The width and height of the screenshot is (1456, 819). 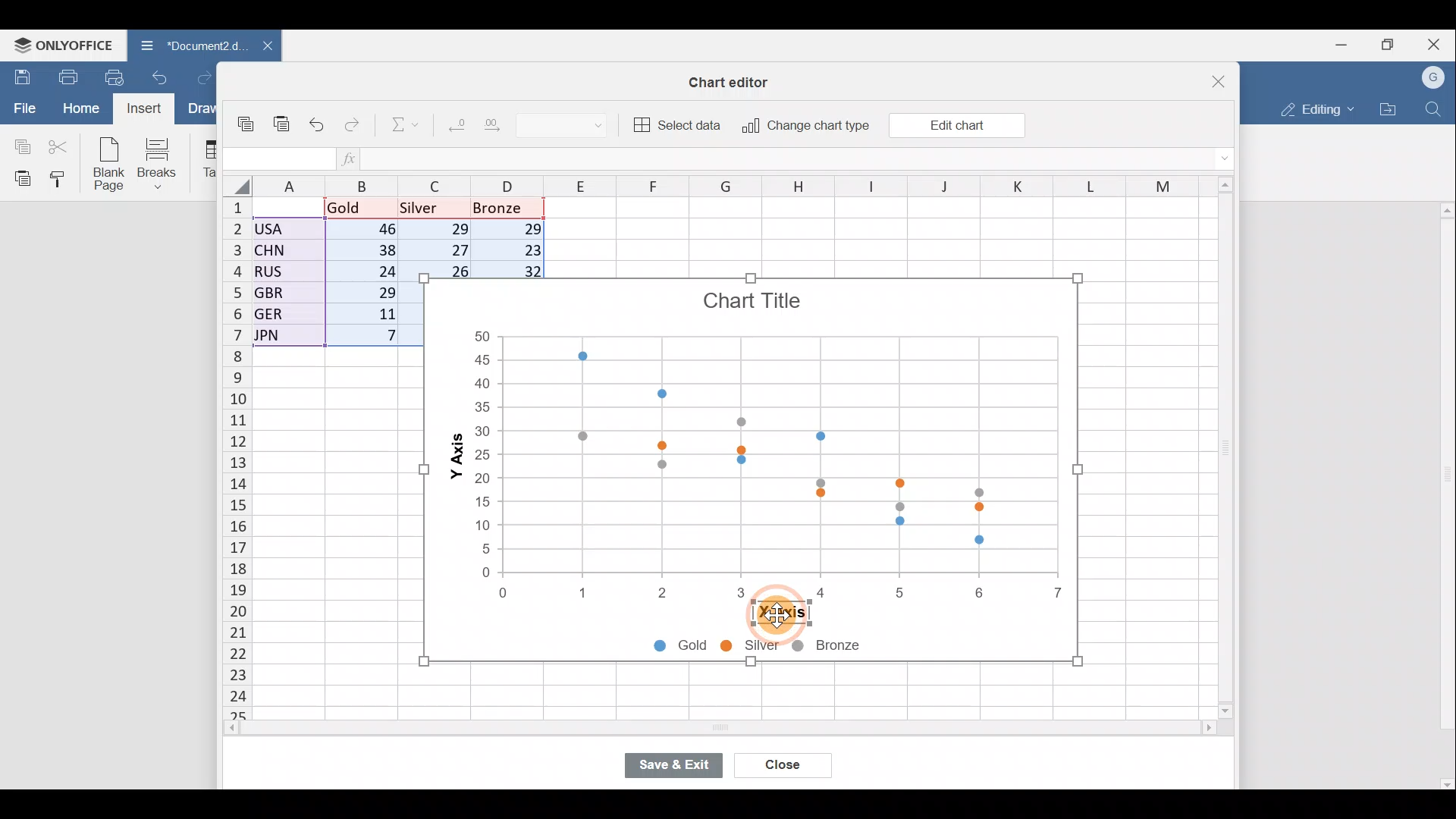 I want to click on Edit chart, so click(x=955, y=124).